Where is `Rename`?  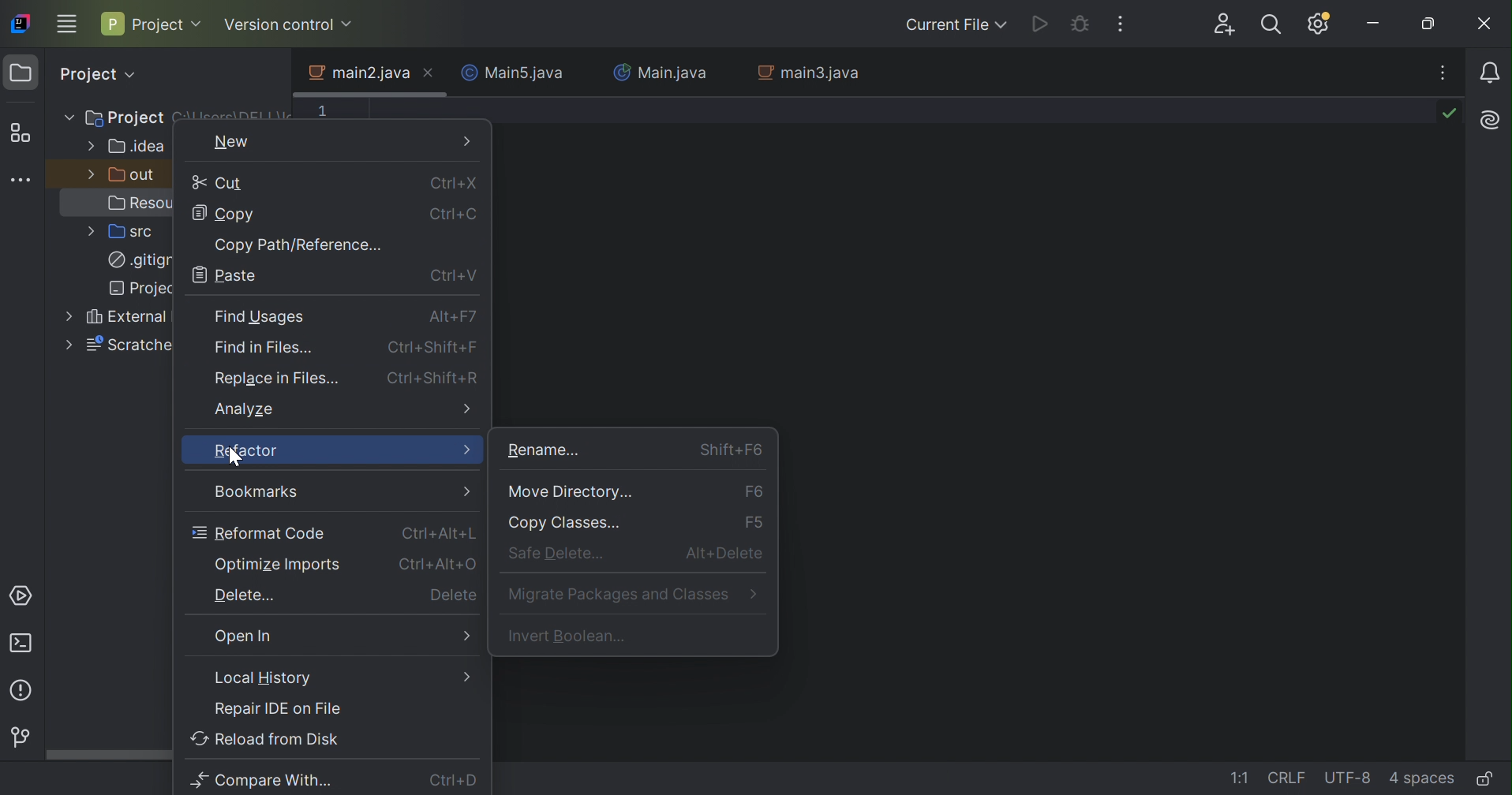 Rename is located at coordinates (549, 450).